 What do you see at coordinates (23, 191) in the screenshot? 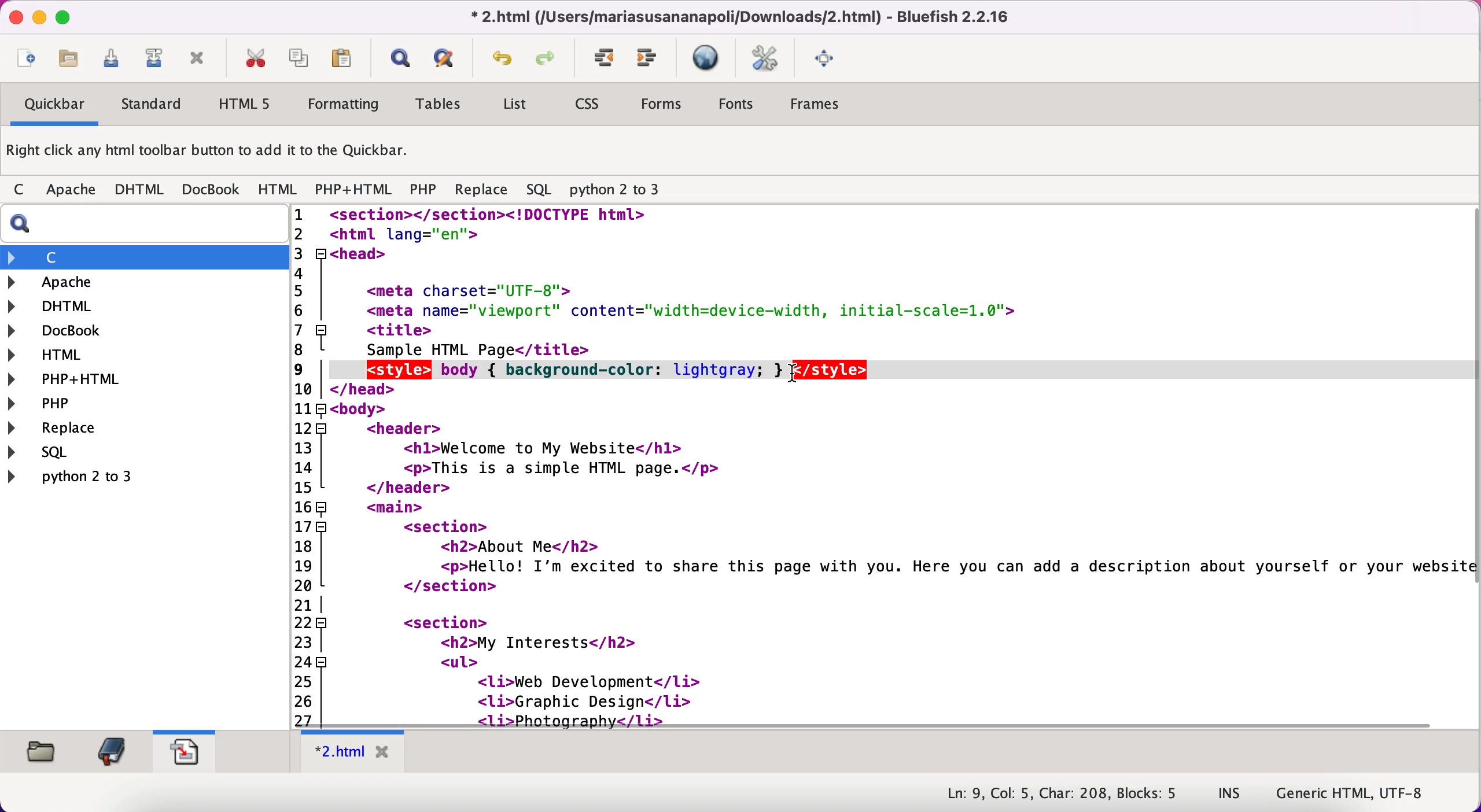
I see `c` at bounding box center [23, 191].